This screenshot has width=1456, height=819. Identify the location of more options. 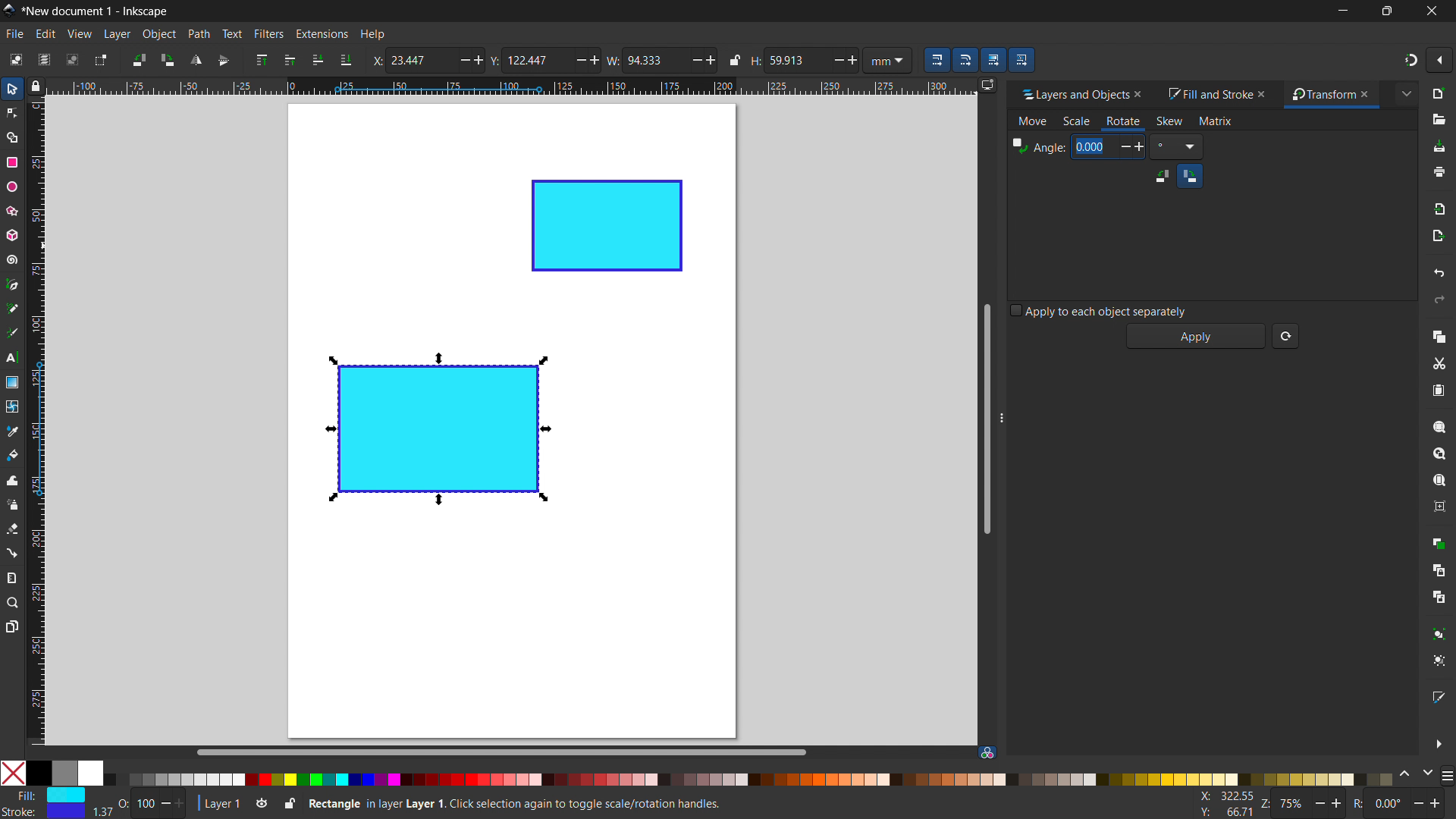
(1439, 744).